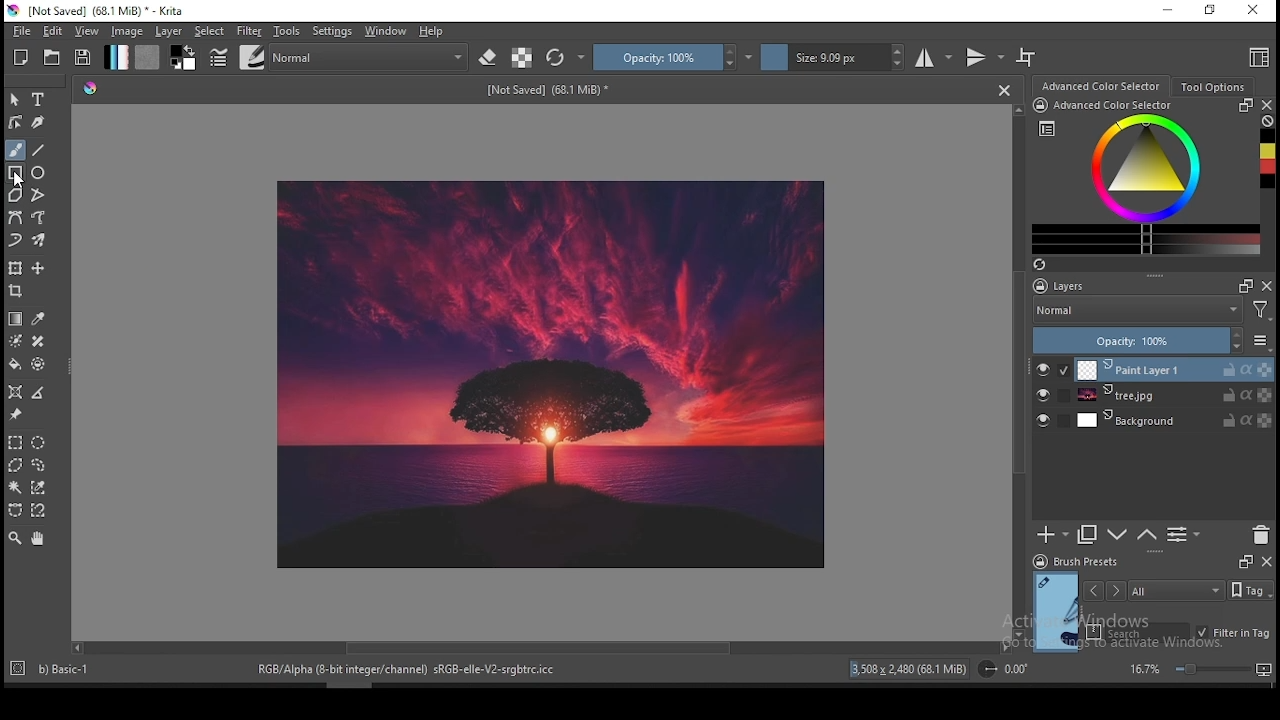 The height and width of the screenshot is (720, 1280). I want to click on colorize mask tool, so click(16, 340).